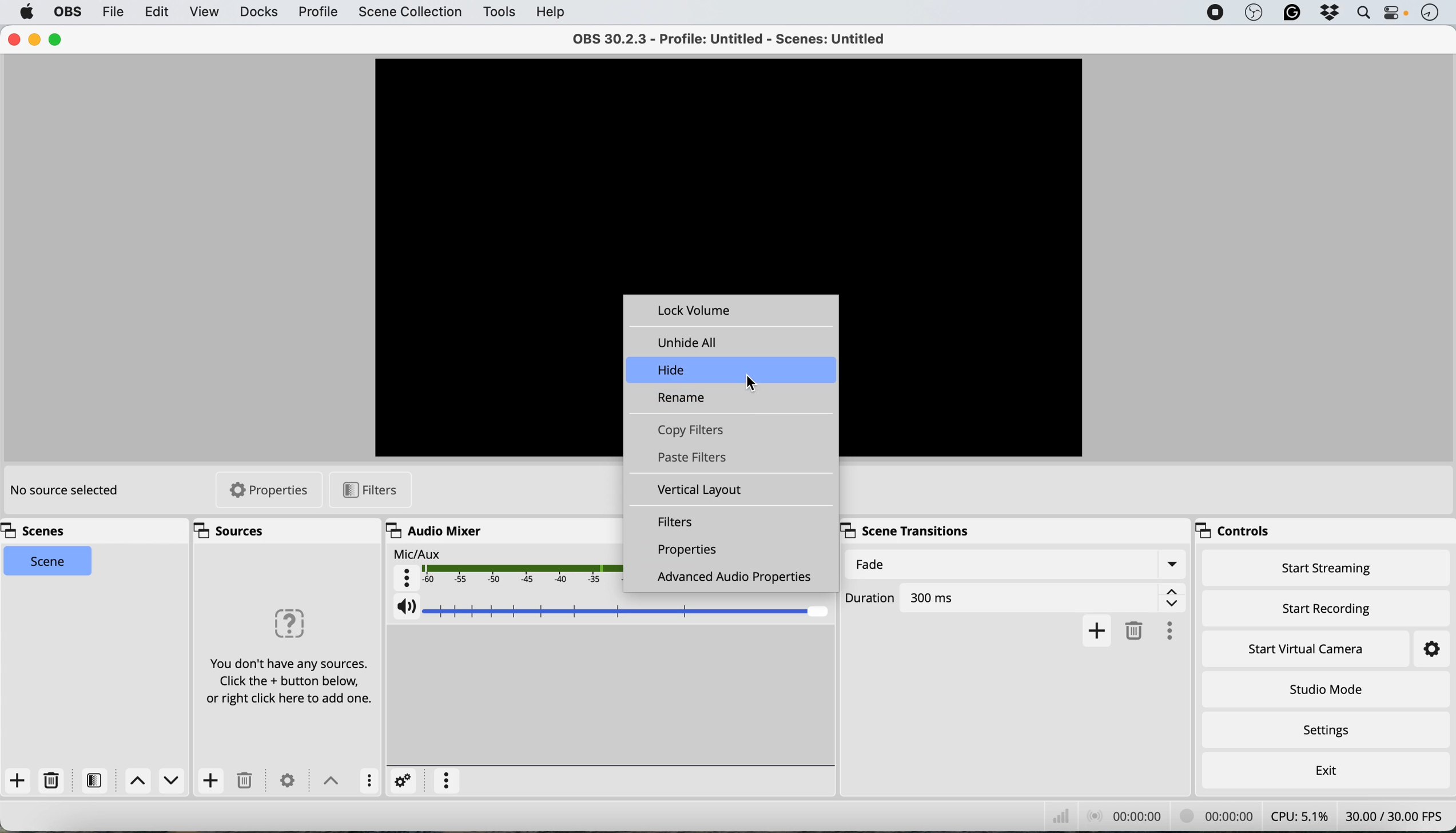 This screenshot has height=833, width=1456. I want to click on add source, so click(211, 782).